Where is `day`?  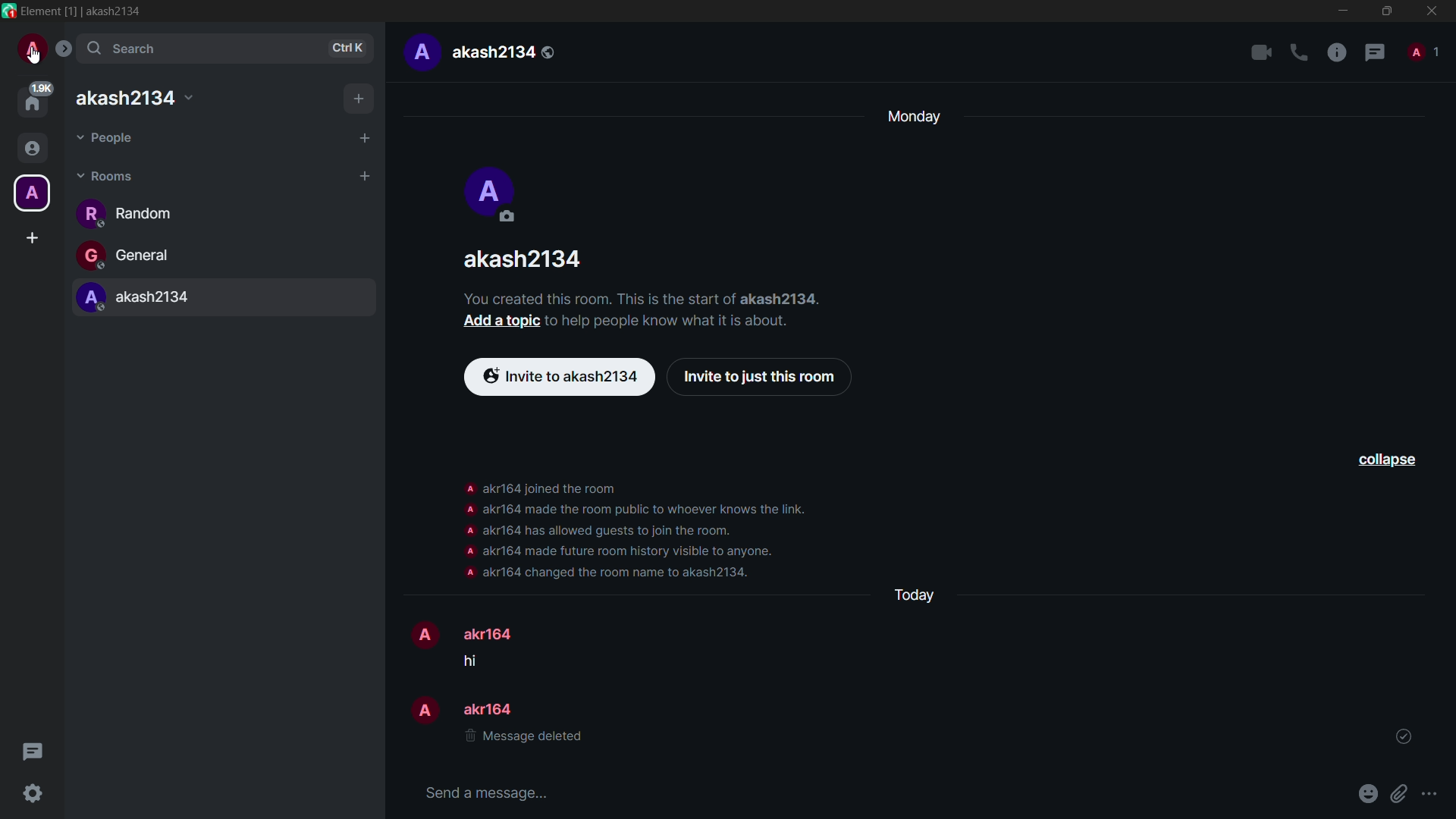
day is located at coordinates (911, 118).